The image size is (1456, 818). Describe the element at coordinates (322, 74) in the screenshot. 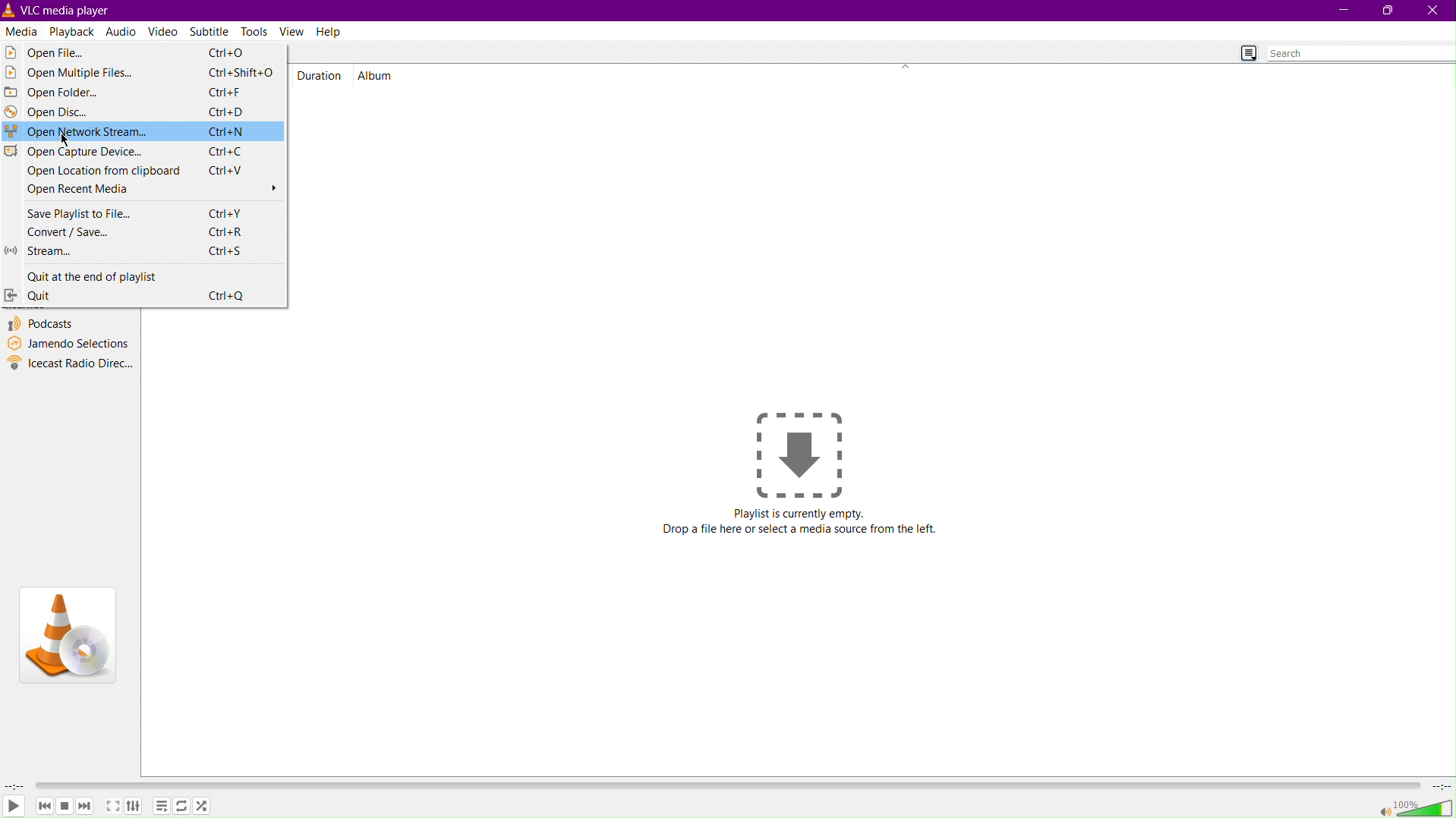

I see `Duration` at that location.